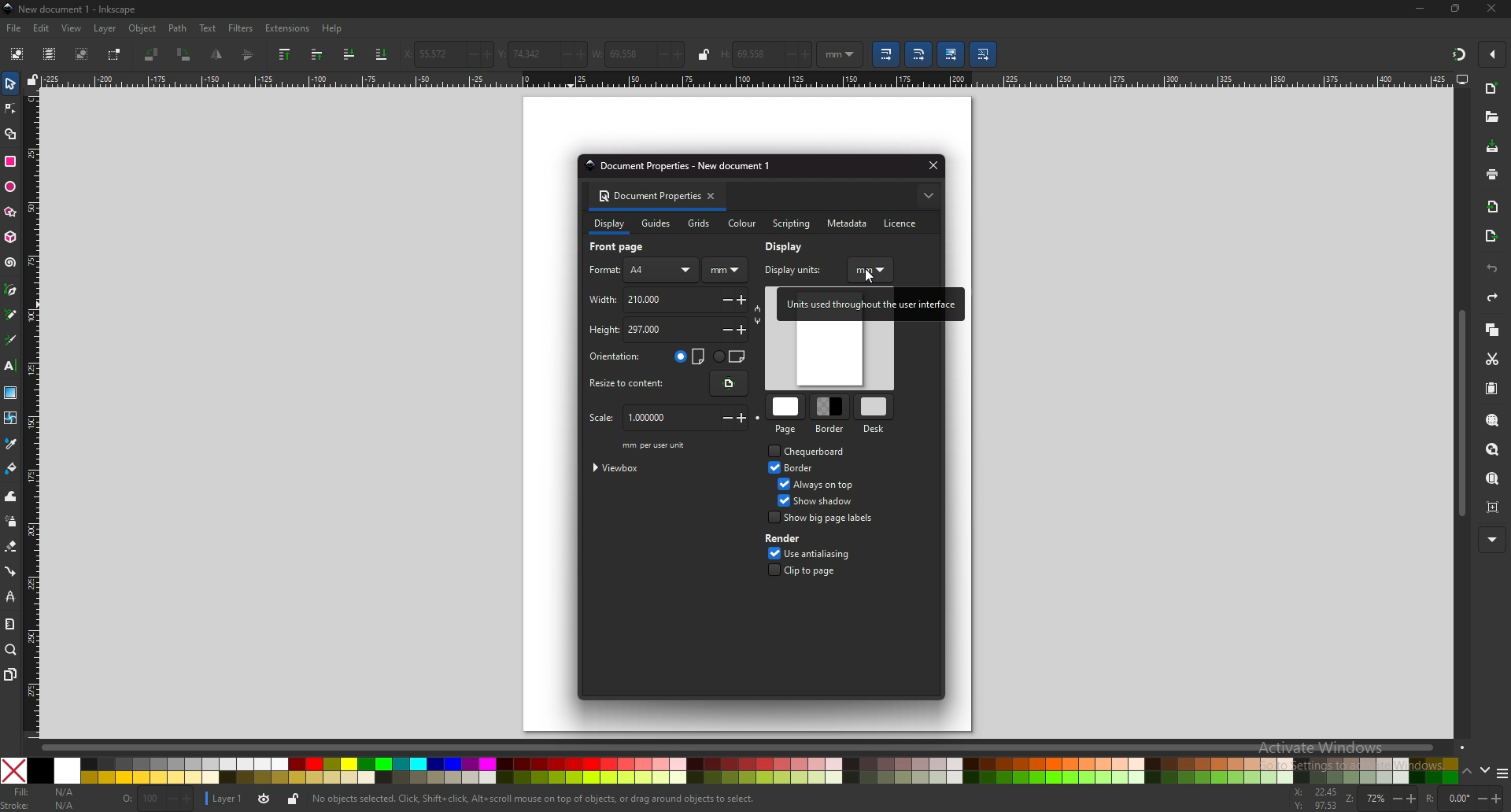  Describe the element at coordinates (745, 418) in the screenshot. I see `+` at that location.